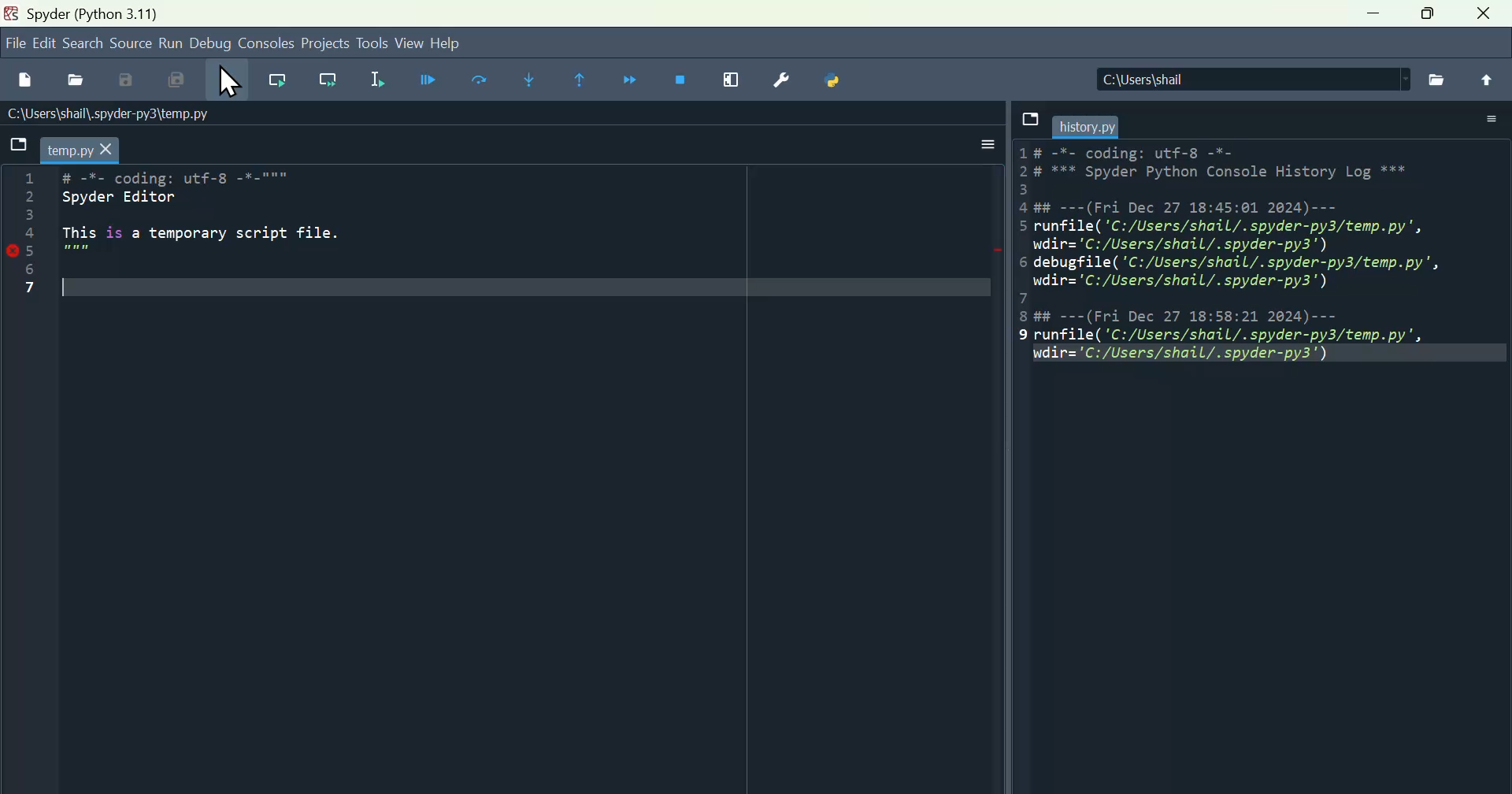  What do you see at coordinates (1438, 78) in the screenshot?
I see `file` at bounding box center [1438, 78].